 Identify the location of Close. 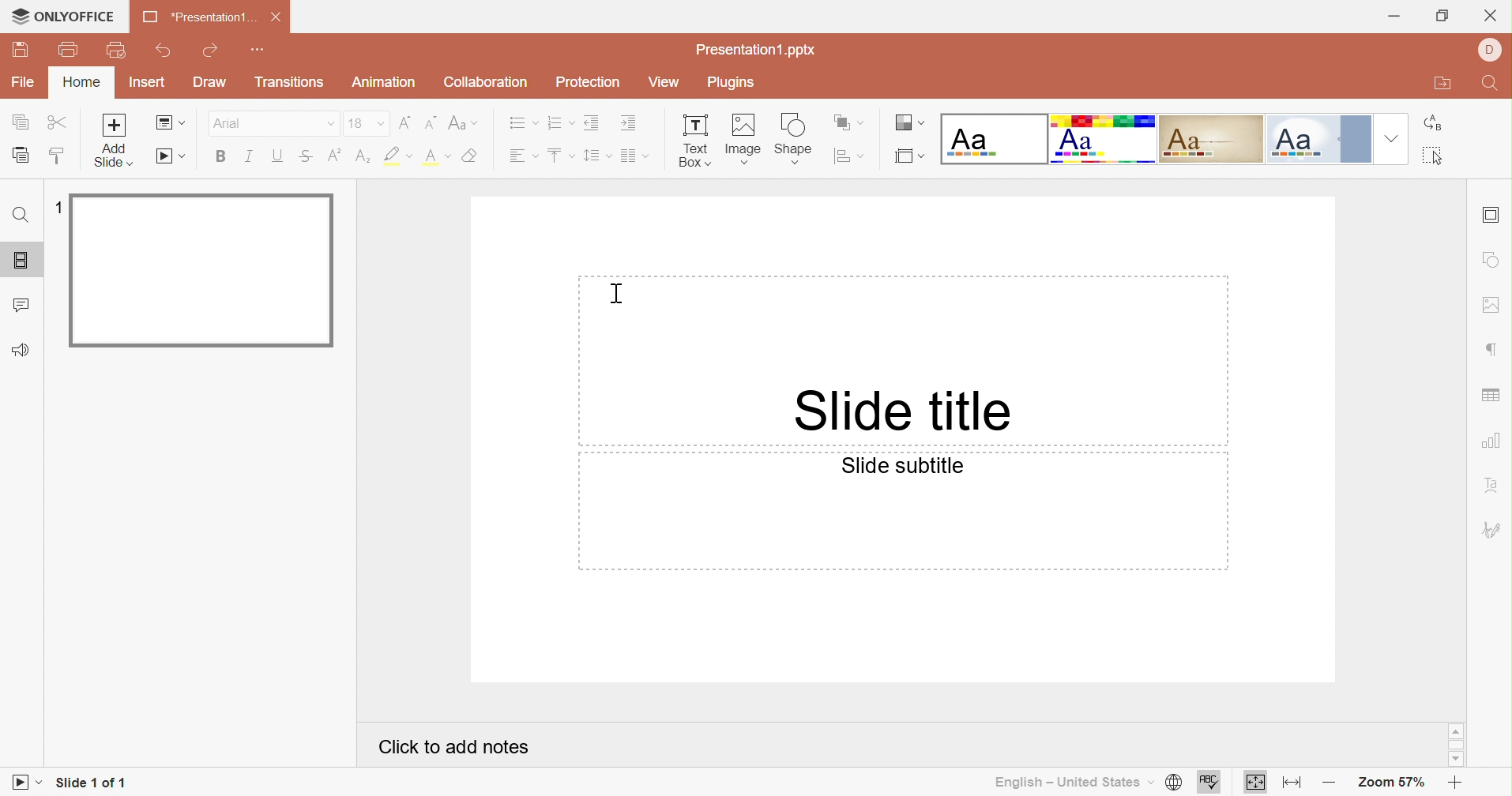
(1491, 14).